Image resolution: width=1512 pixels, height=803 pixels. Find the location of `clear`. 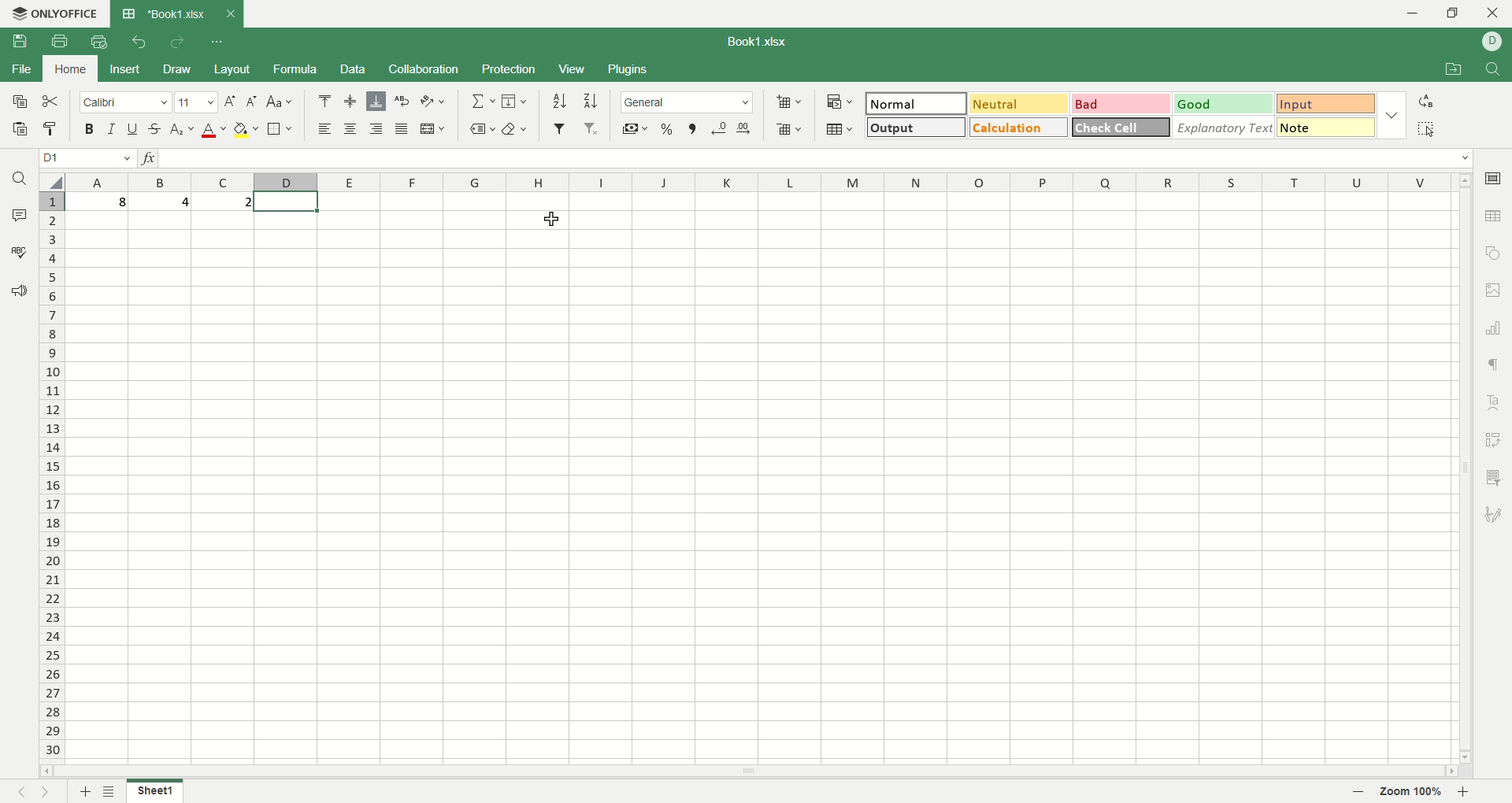

clear is located at coordinates (514, 128).